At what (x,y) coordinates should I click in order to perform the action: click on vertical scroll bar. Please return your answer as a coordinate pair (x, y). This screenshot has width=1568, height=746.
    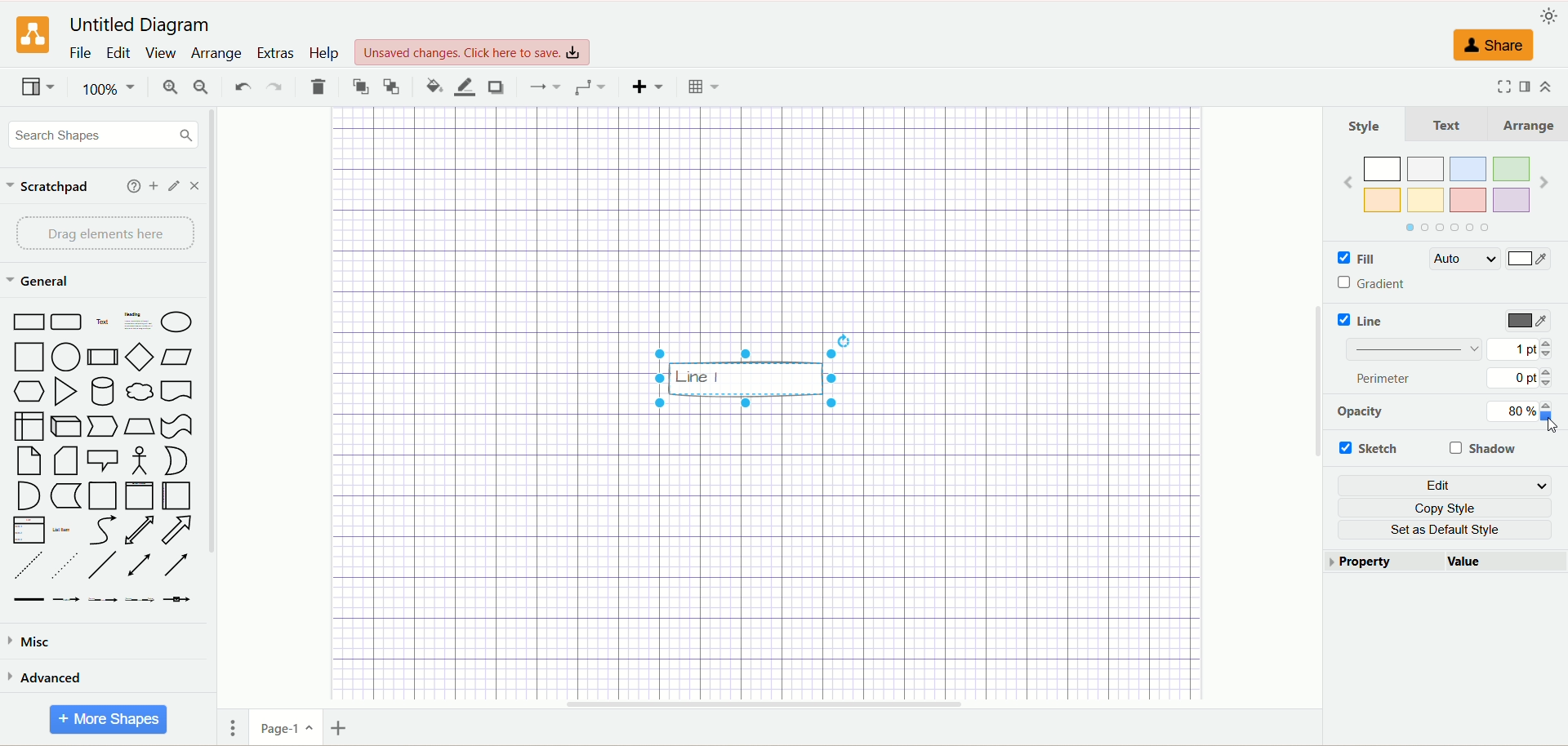
    Looking at the image, I should click on (220, 407).